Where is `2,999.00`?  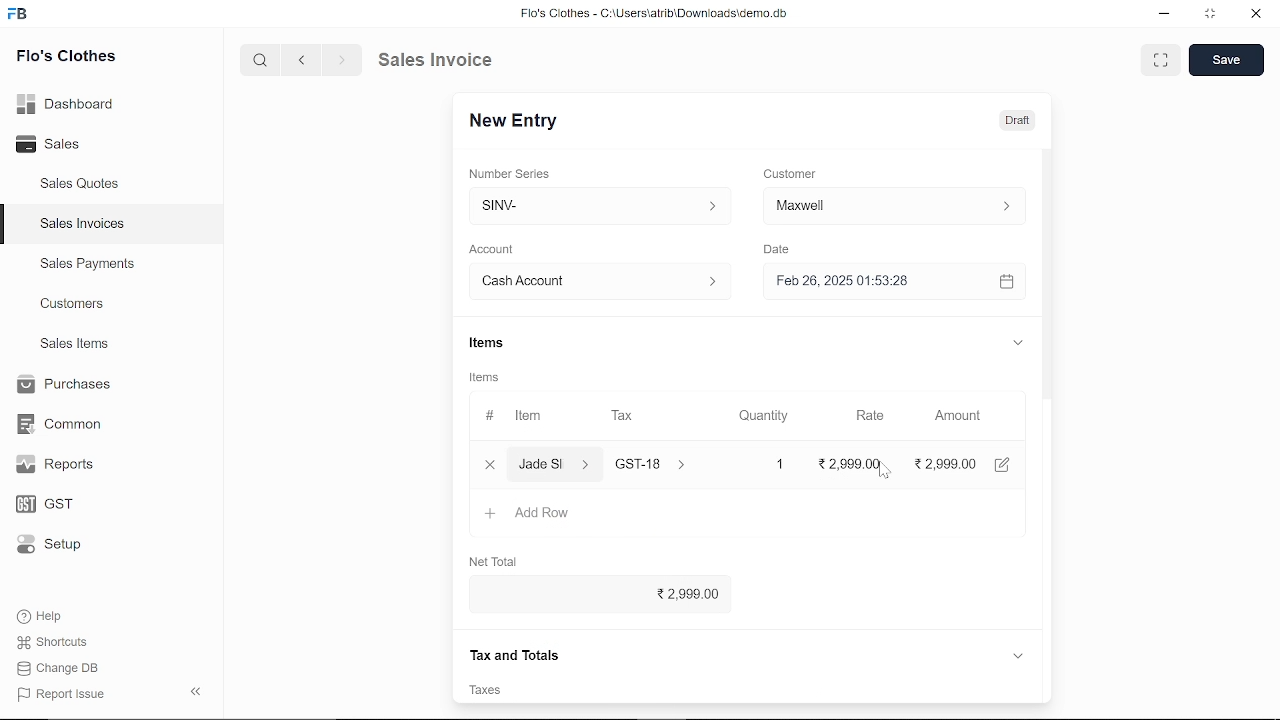 2,999.00 is located at coordinates (857, 464).